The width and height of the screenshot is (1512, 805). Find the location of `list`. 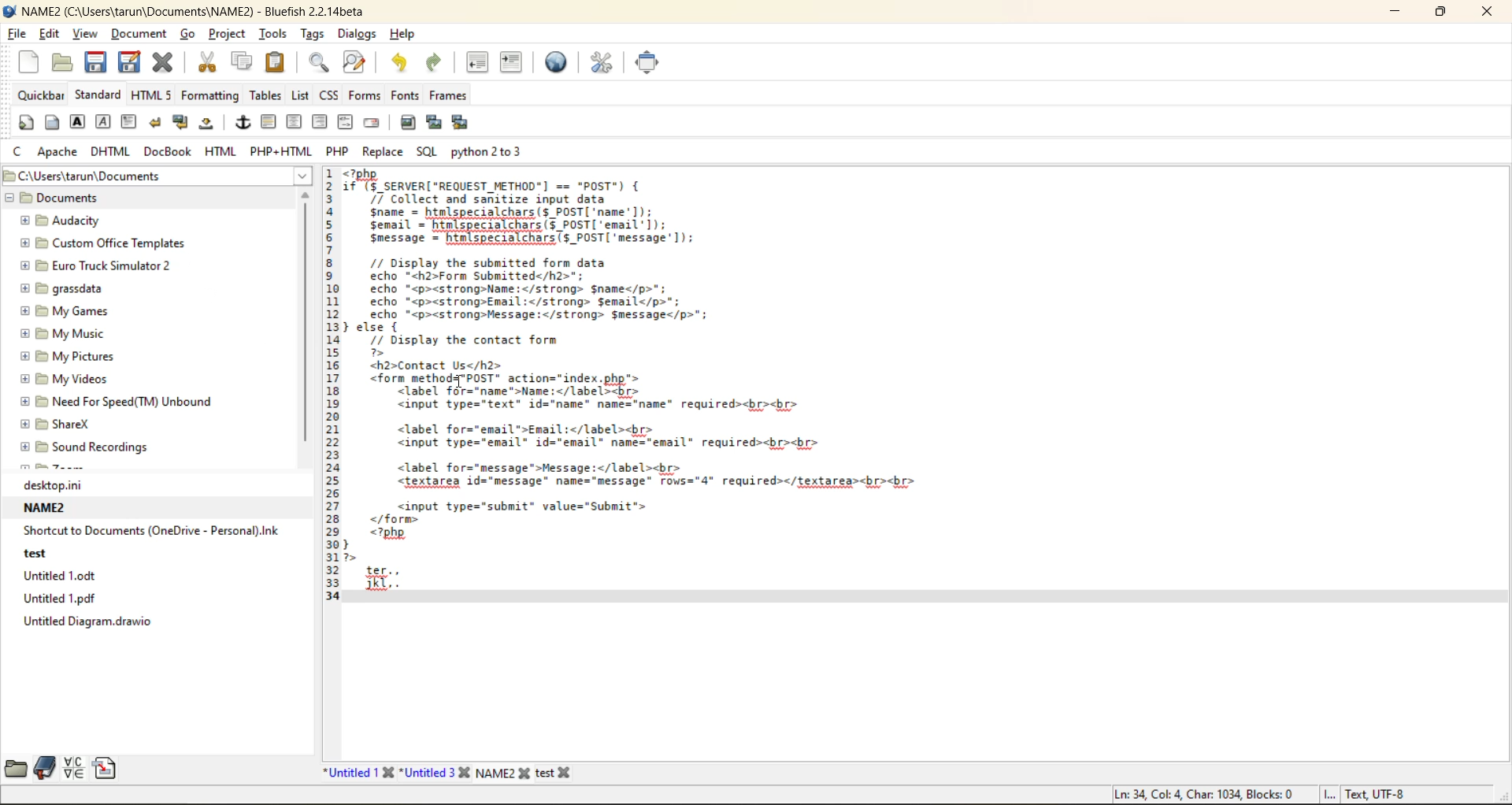

list is located at coordinates (298, 97).